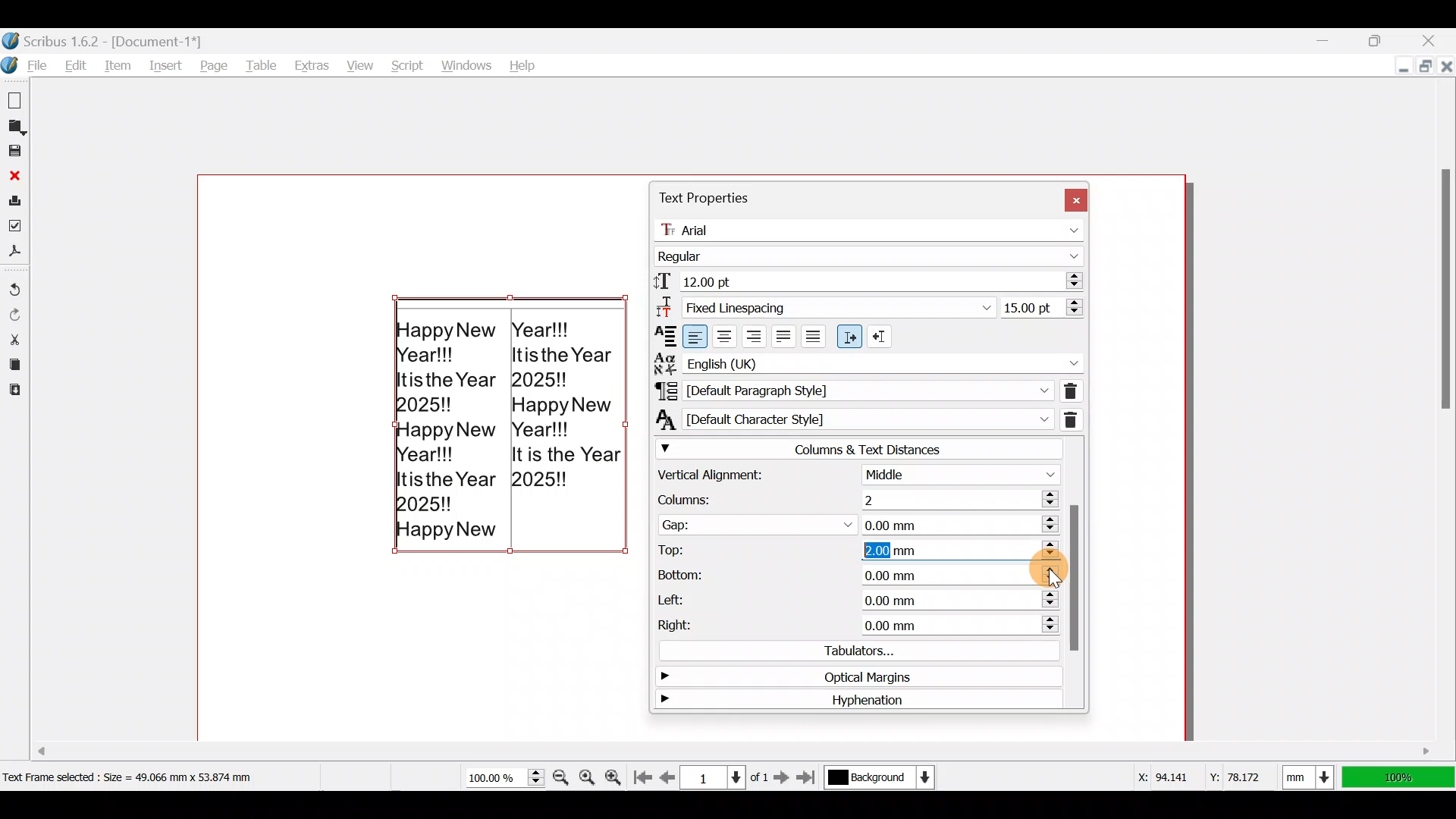 This screenshot has height=819, width=1456. Describe the element at coordinates (561, 773) in the screenshot. I see `Zoom out by the stepping value in tools preferences` at that location.